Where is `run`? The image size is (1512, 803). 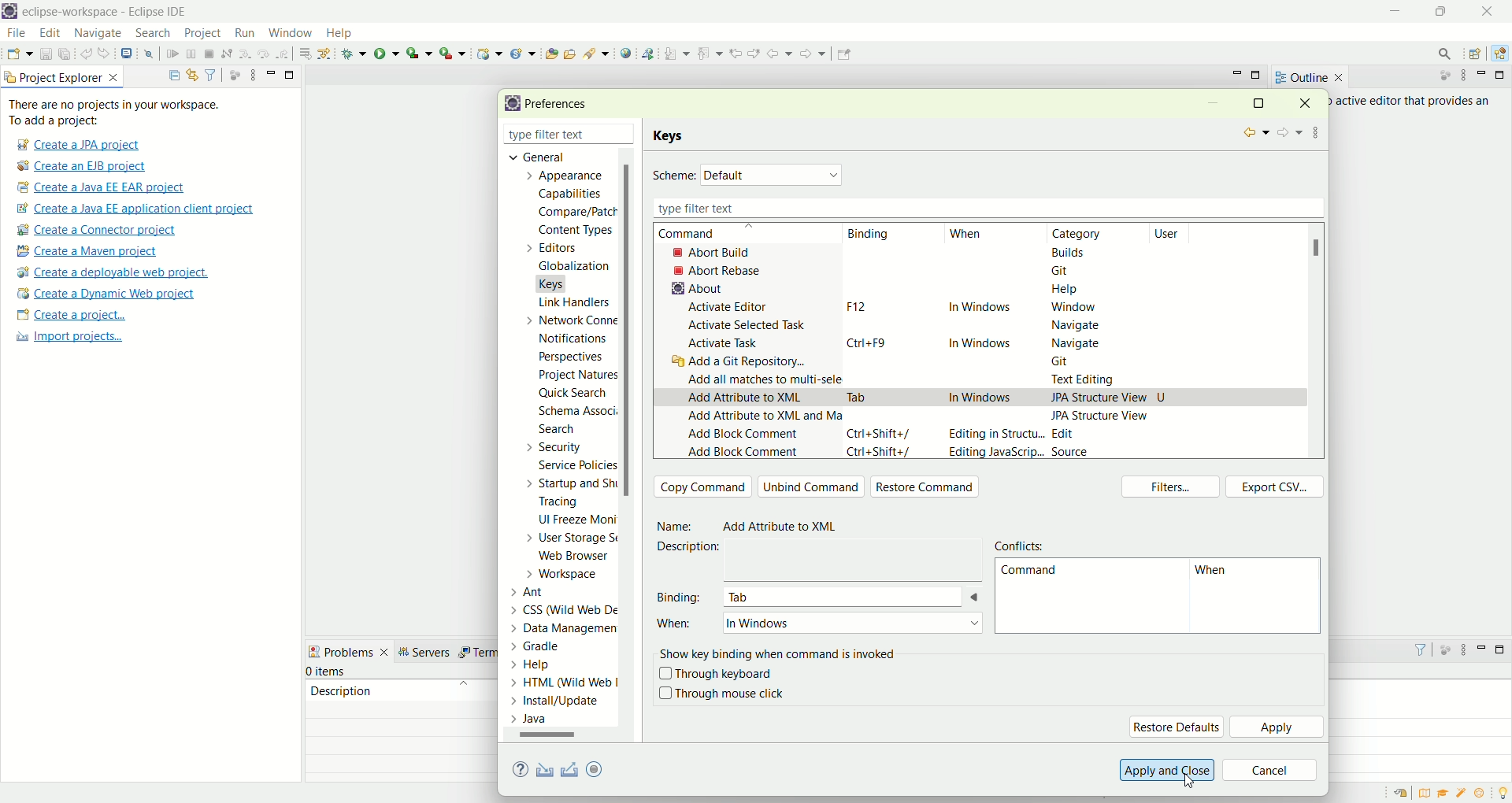
run is located at coordinates (243, 32).